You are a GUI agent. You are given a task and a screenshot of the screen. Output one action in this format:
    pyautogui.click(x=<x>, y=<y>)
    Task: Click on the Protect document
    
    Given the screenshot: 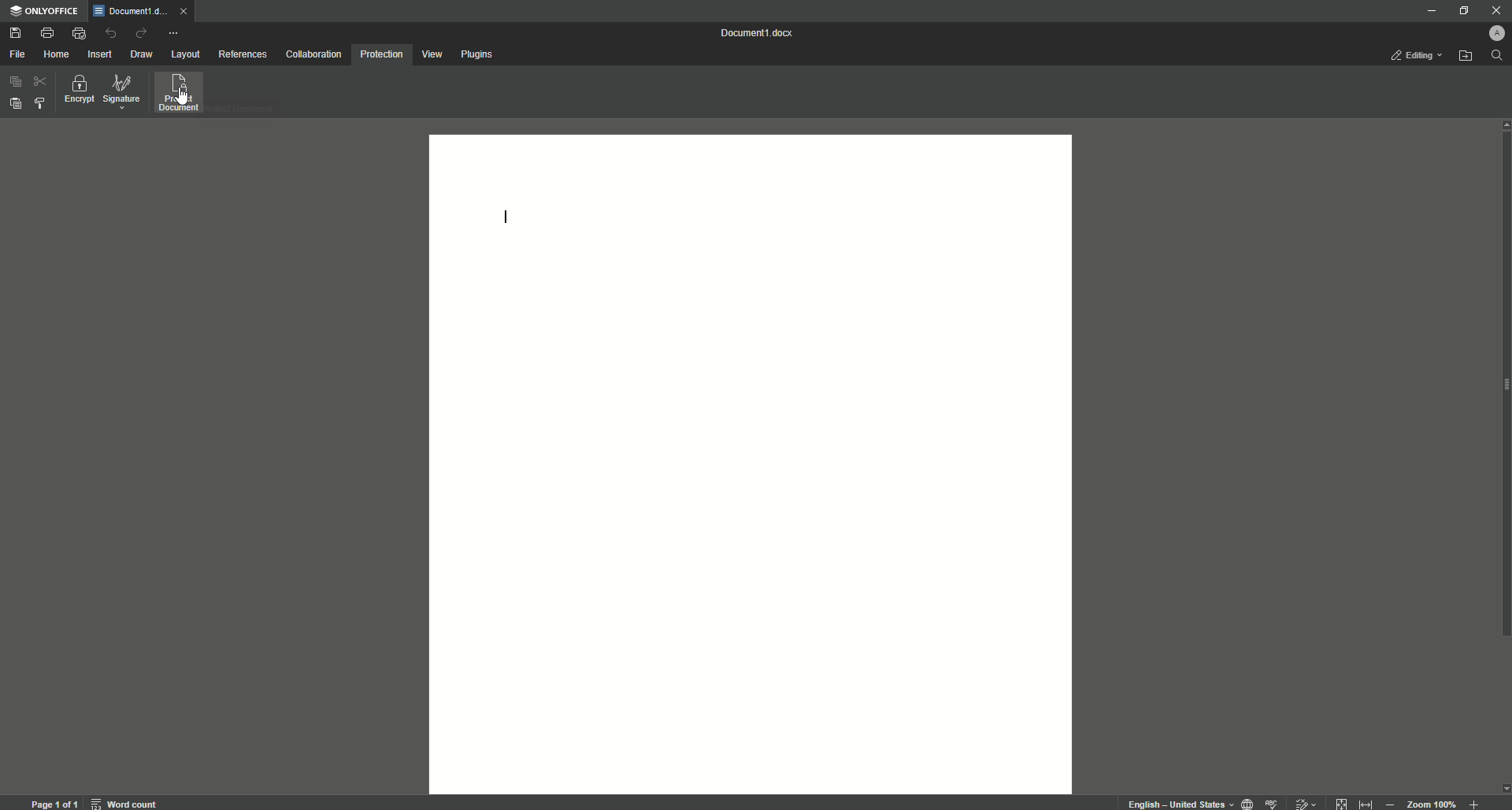 What is the action you would take?
    pyautogui.click(x=181, y=94)
    